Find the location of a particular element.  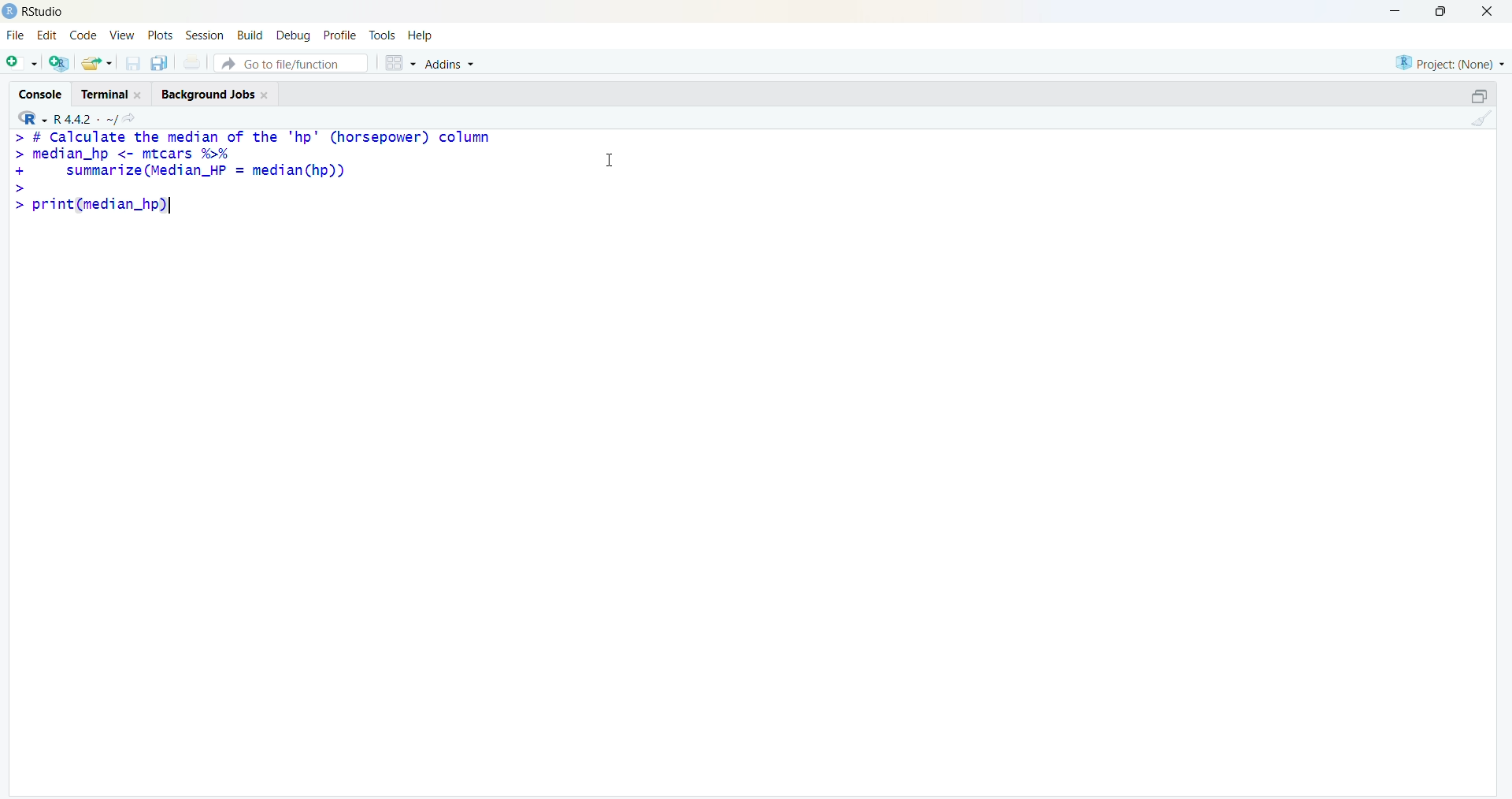

grid is located at coordinates (401, 62).